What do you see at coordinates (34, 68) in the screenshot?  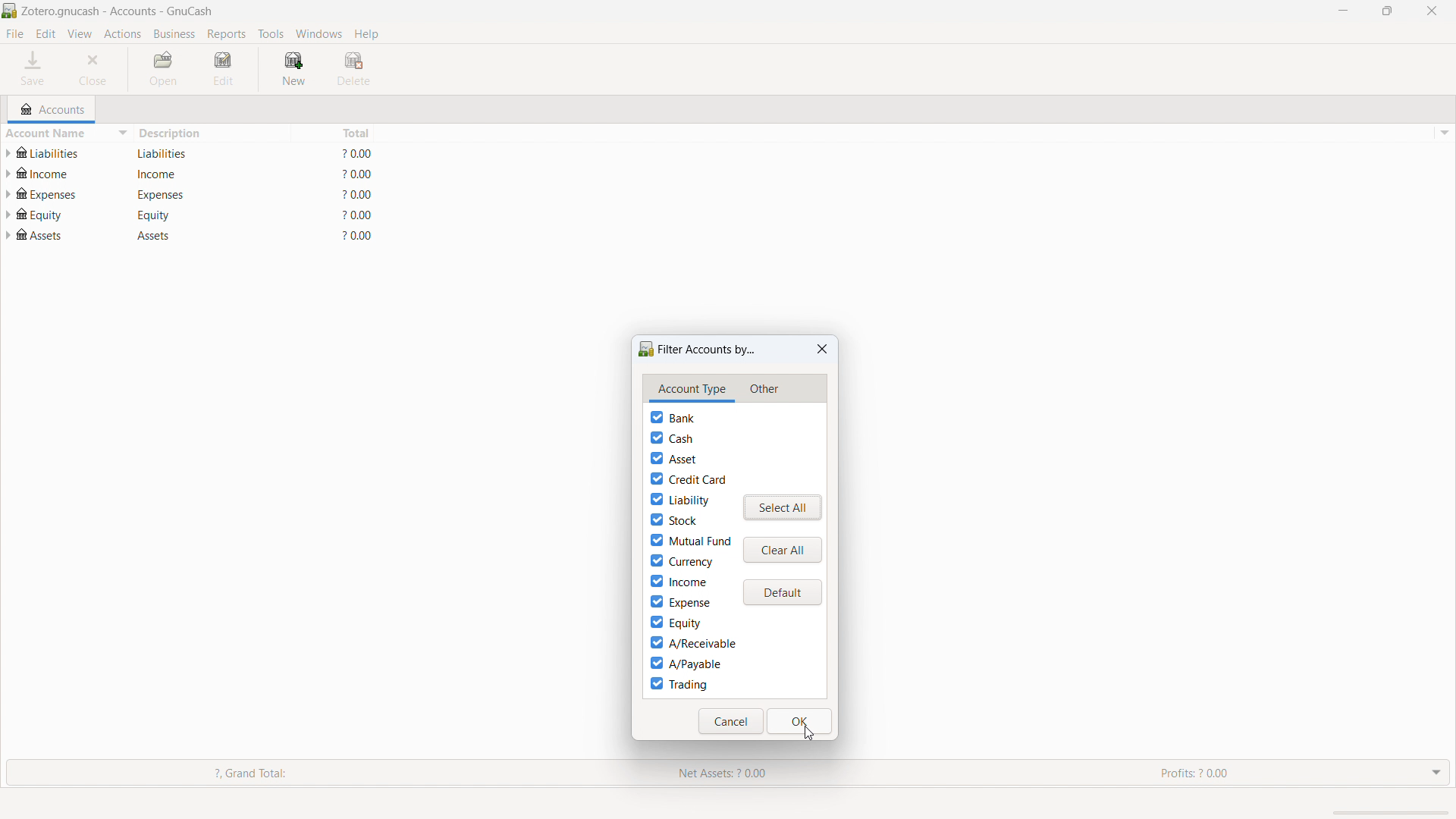 I see `save` at bounding box center [34, 68].